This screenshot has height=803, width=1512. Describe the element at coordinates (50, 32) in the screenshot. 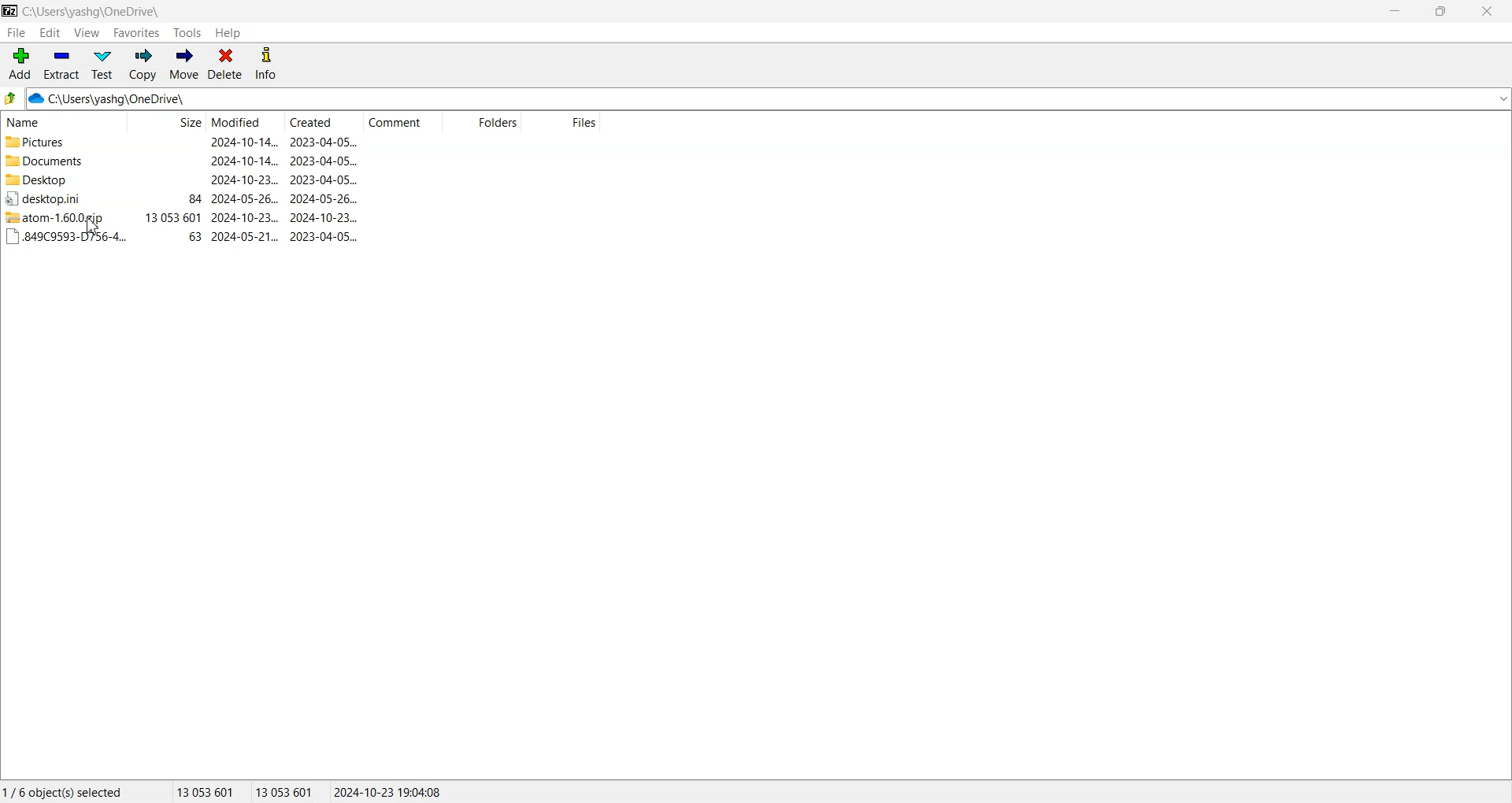

I see `Edit` at that location.